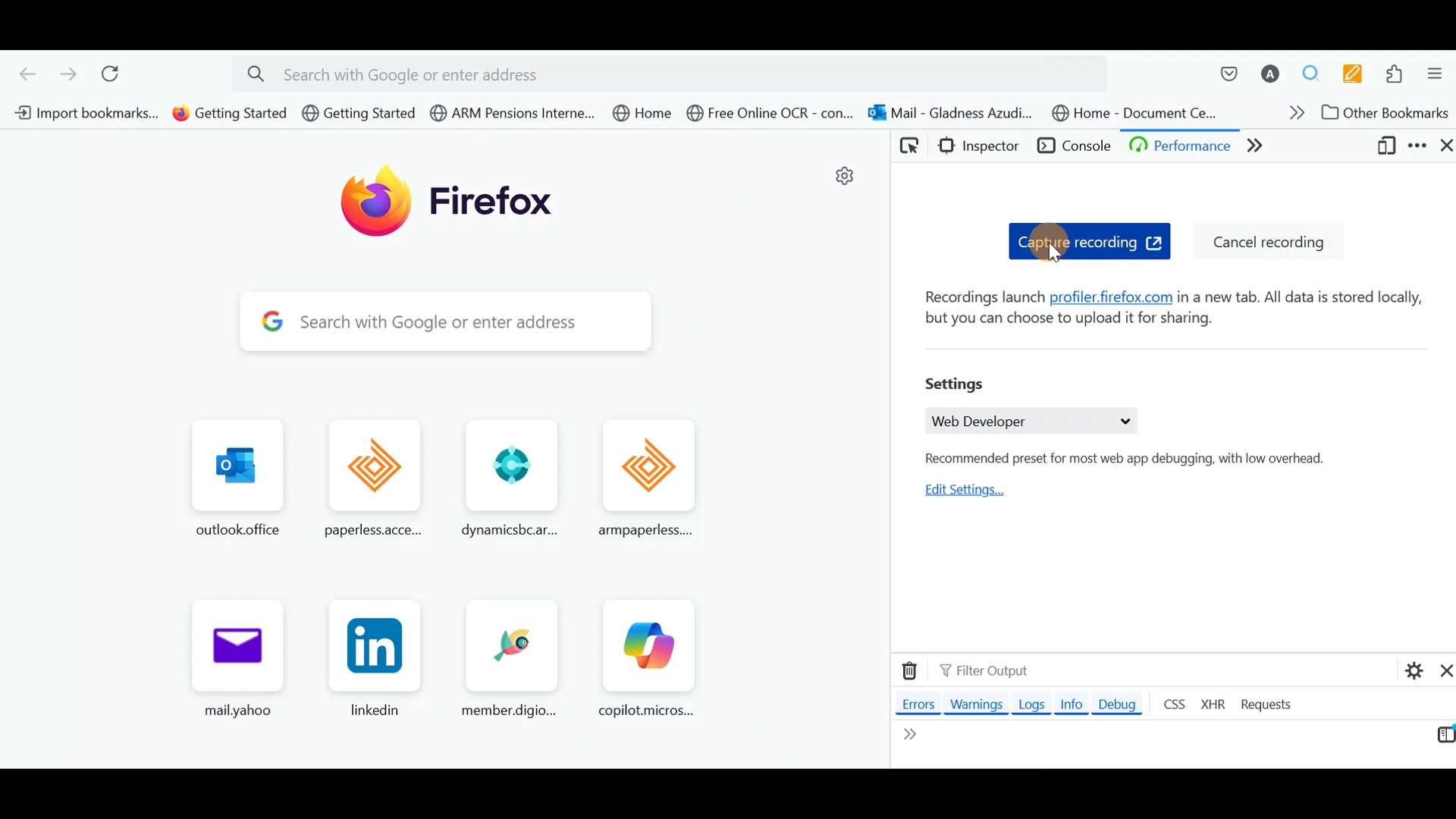 The image size is (1456, 819). What do you see at coordinates (1291, 116) in the screenshot?
I see `Show more bookmarks` at bounding box center [1291, 116].